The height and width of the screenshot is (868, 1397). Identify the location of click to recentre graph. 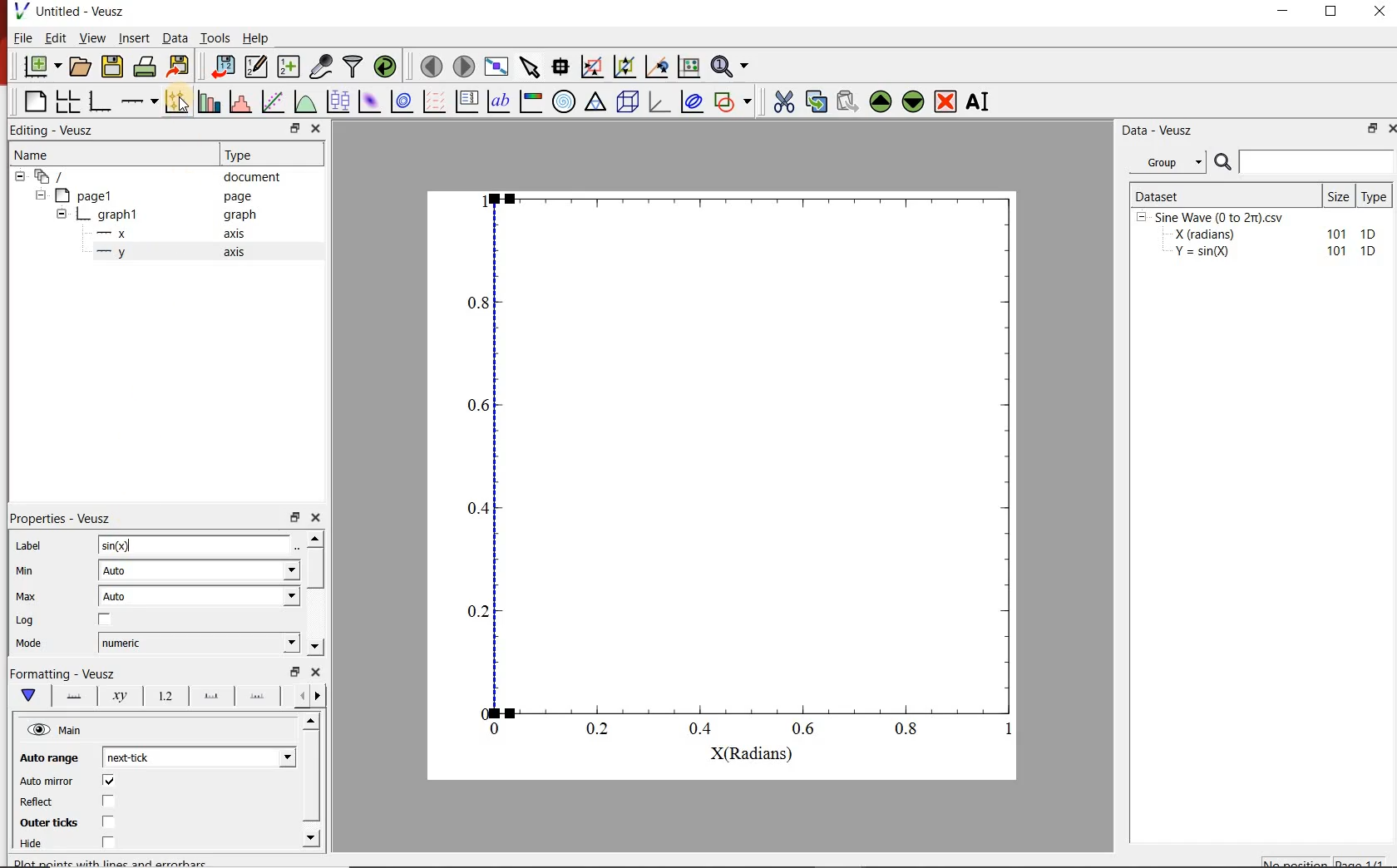
(657, 64).